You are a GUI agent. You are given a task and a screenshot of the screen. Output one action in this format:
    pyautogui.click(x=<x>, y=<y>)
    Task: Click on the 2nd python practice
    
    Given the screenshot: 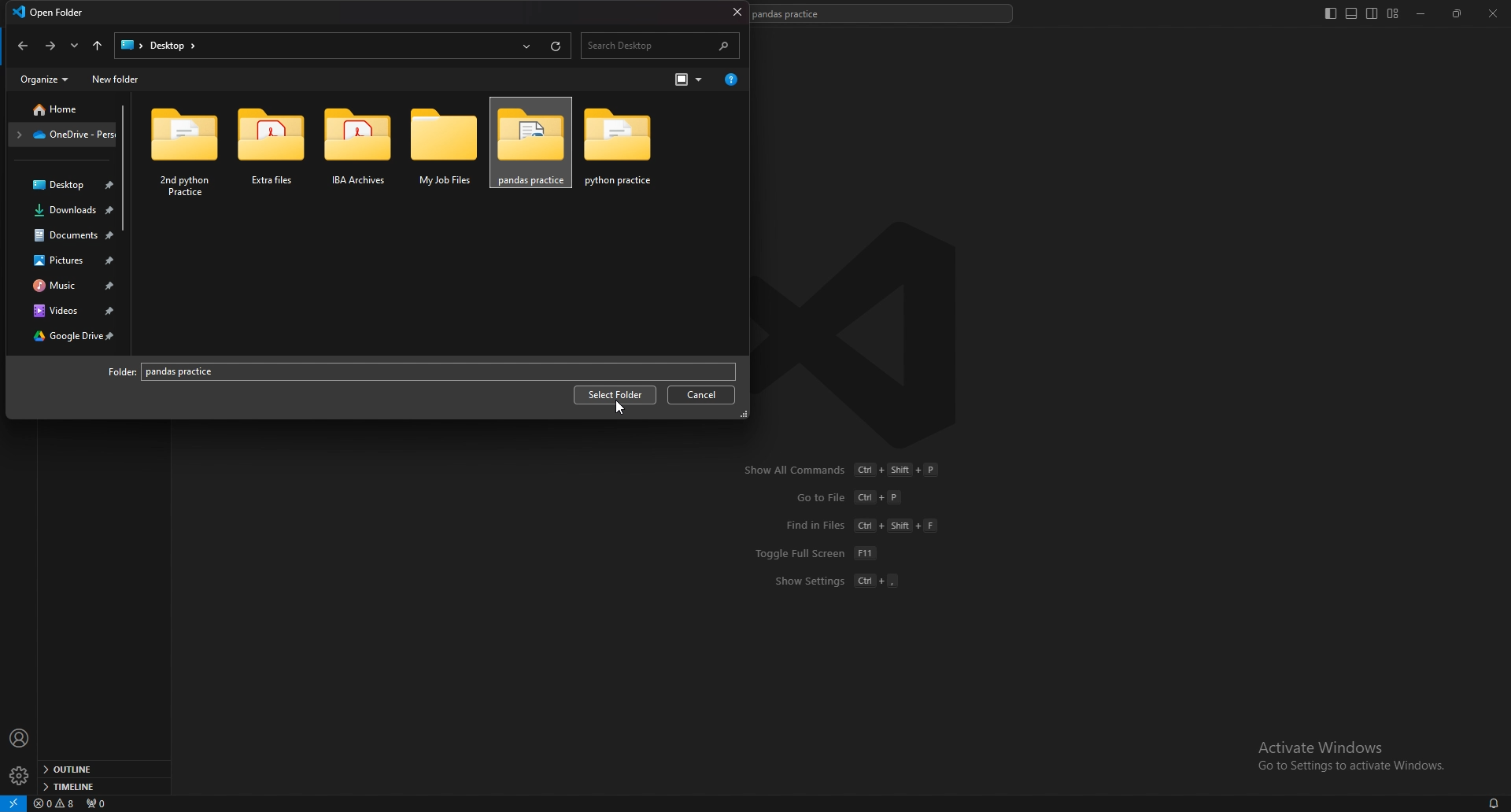 What is the action you would take?
    pyautogui.click(x=183, y=149)
    